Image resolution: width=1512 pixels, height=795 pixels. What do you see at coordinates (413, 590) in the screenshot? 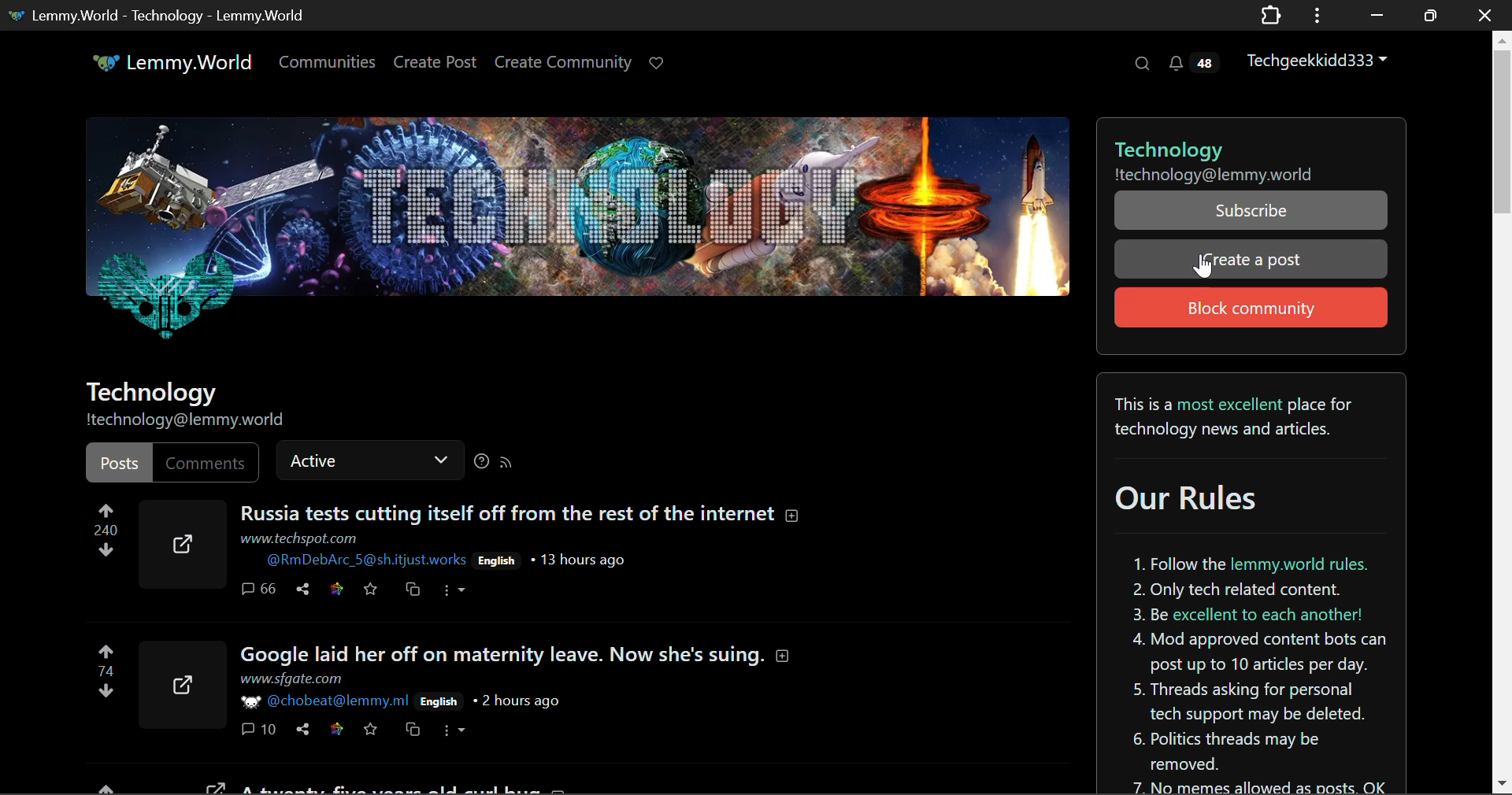
I see `Cross-post` at bounding box center [413, 590].